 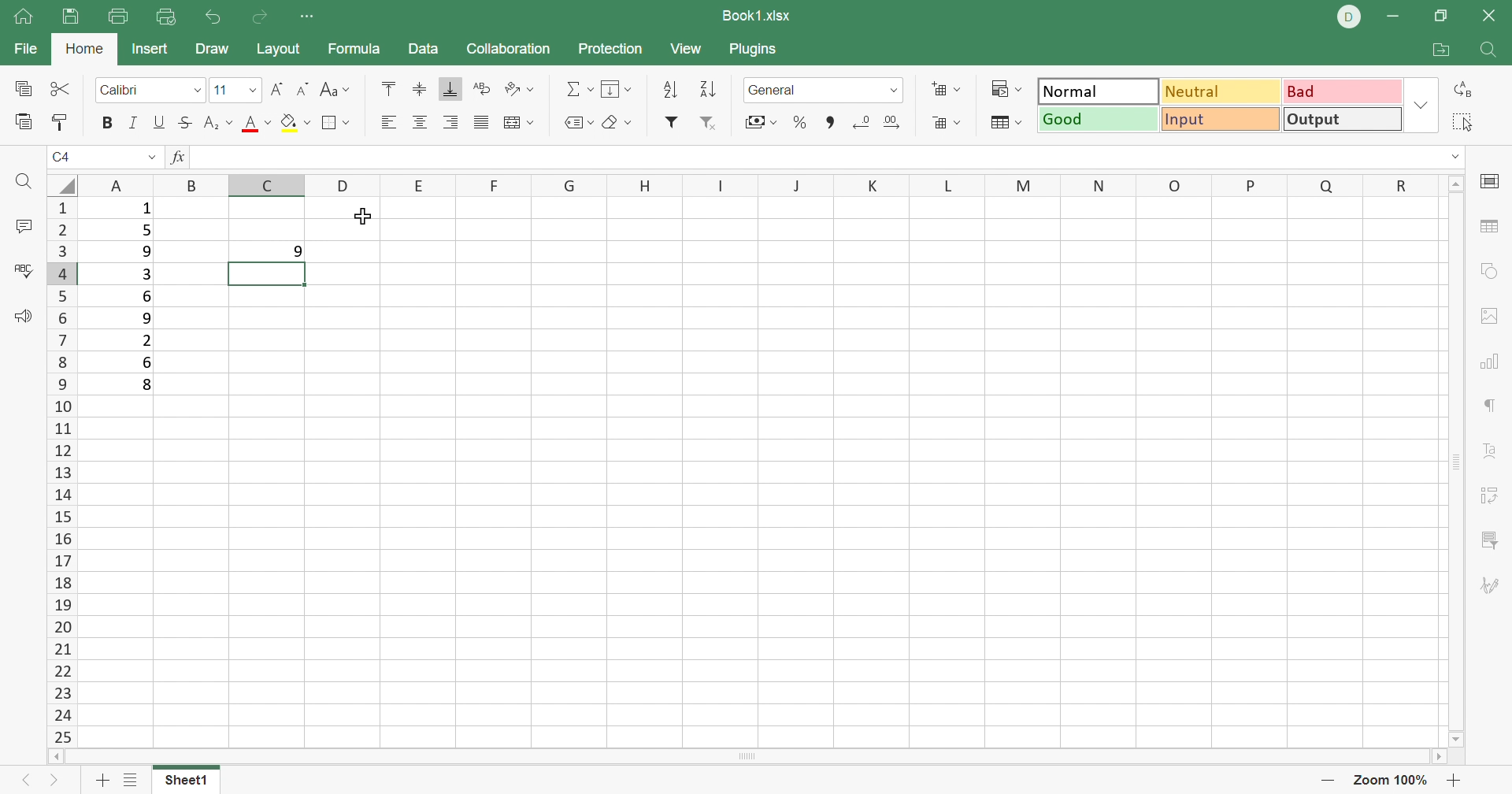 I want to click on Format table as template, so click(x=1005, y=124).